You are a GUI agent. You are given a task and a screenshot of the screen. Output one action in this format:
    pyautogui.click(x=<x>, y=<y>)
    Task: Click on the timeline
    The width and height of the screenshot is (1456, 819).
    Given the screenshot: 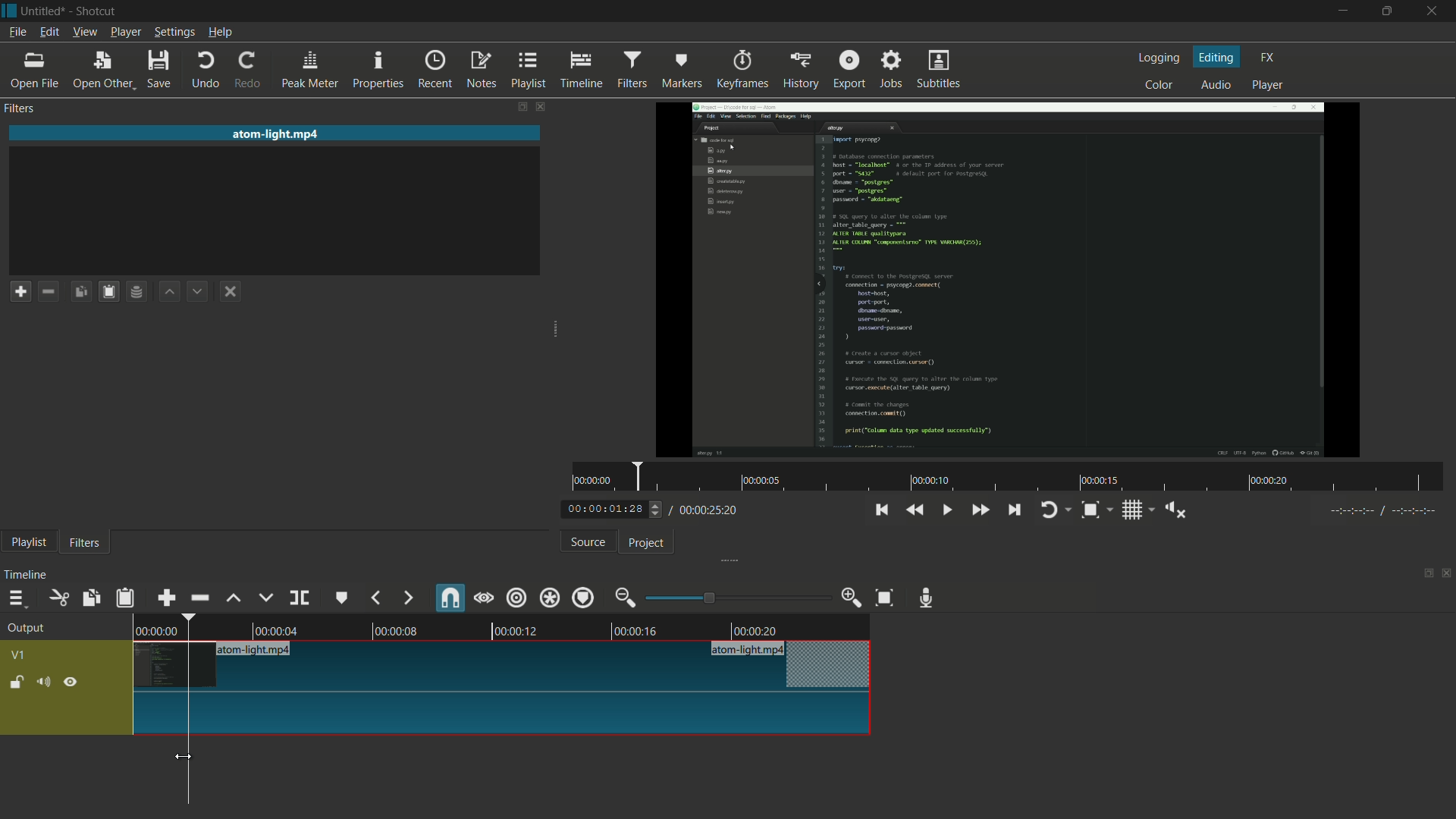 What is the action you would take?
    pyautogui.click(x=584, y=71)
    